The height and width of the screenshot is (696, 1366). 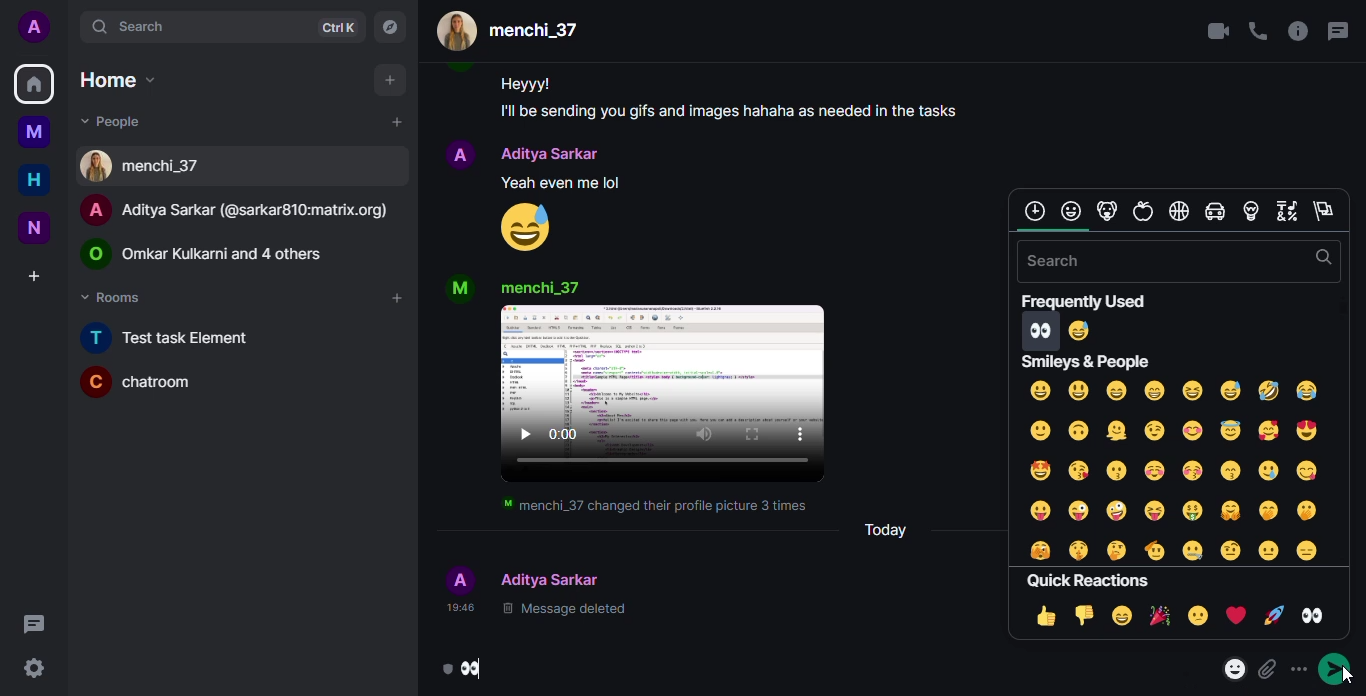 What do you see at coordinates (147, 166) in the screenshot?
I see `contact` at bounding box center [147, 166].